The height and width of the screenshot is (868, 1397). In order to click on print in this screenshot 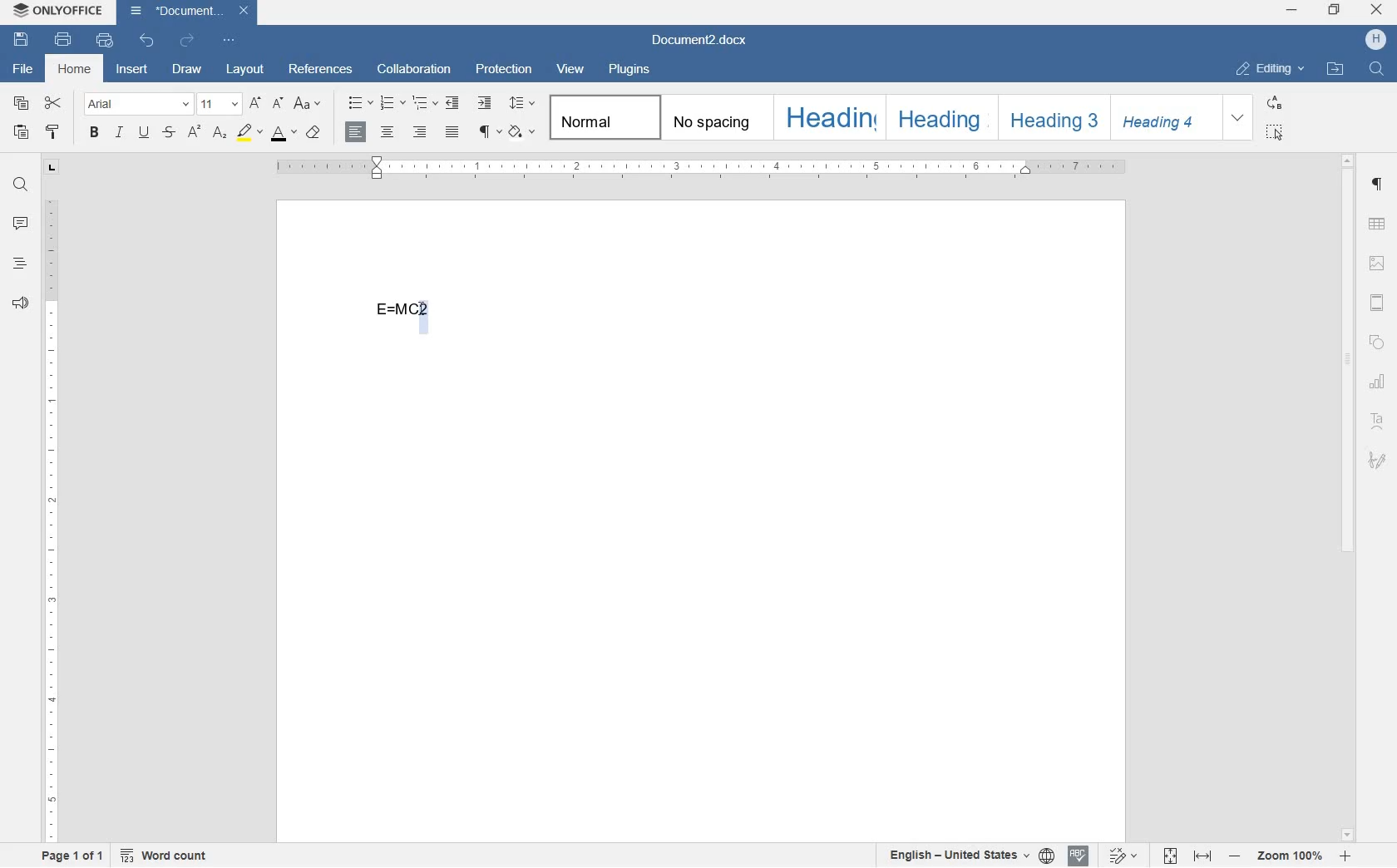, I will do `click(63, 41)`.